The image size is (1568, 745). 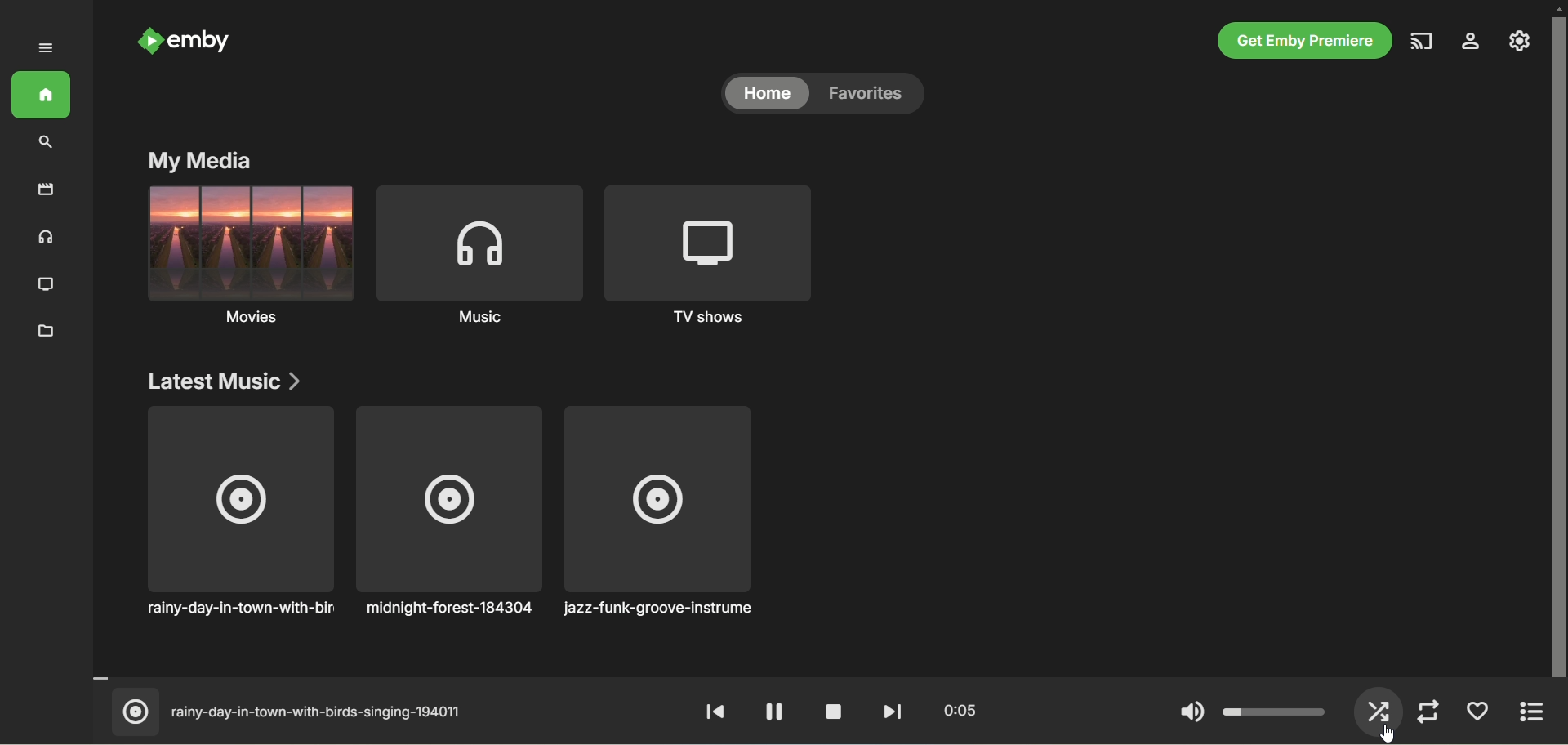 I want to click on play on another device, so click(x=1424, y=42).